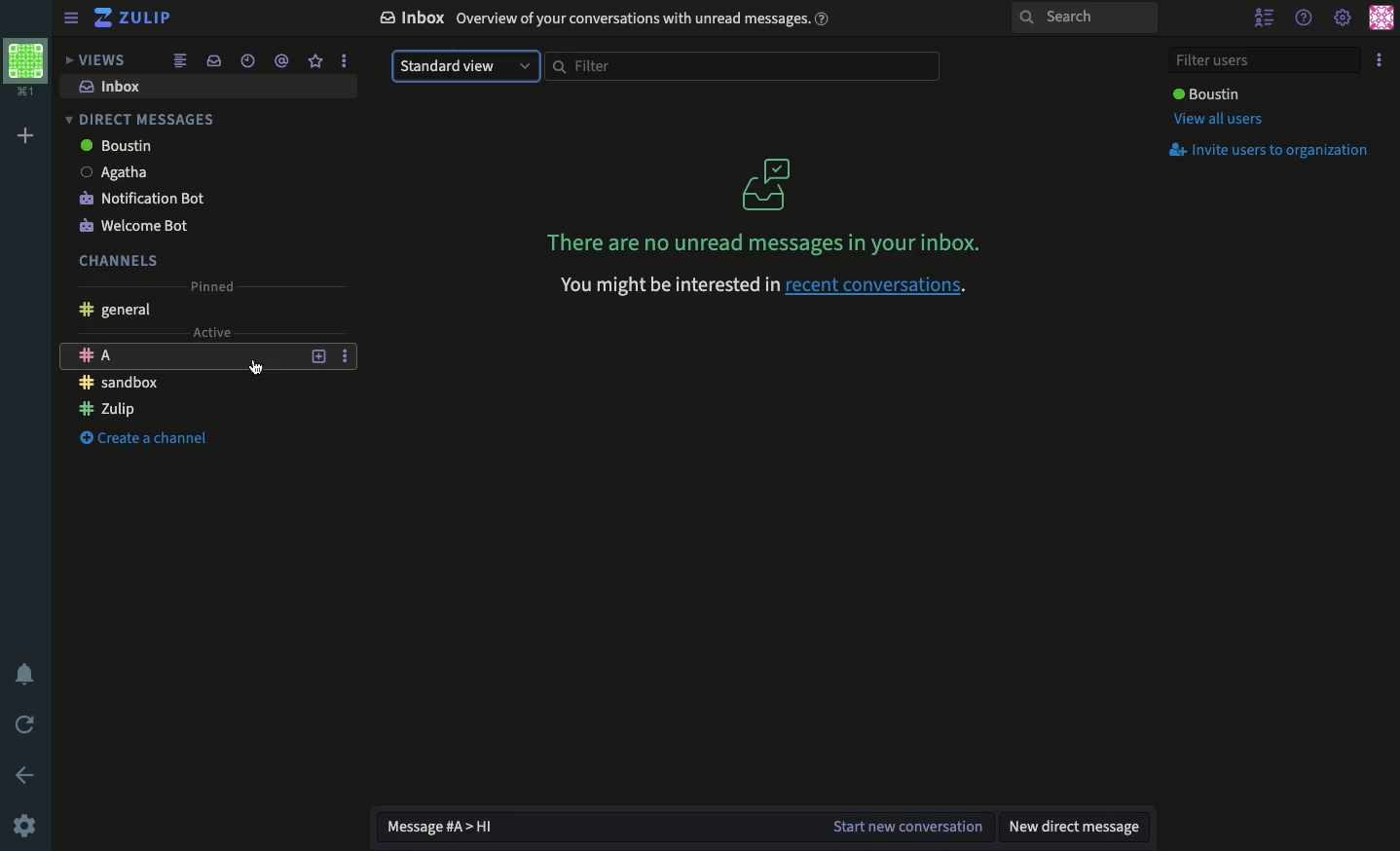 Image resolution: width=1400 pixels, height=851 pixels. What do you see at coordinates (281, 59) in the screenshot?
I see `Tag` at bounding box center [281, 59].